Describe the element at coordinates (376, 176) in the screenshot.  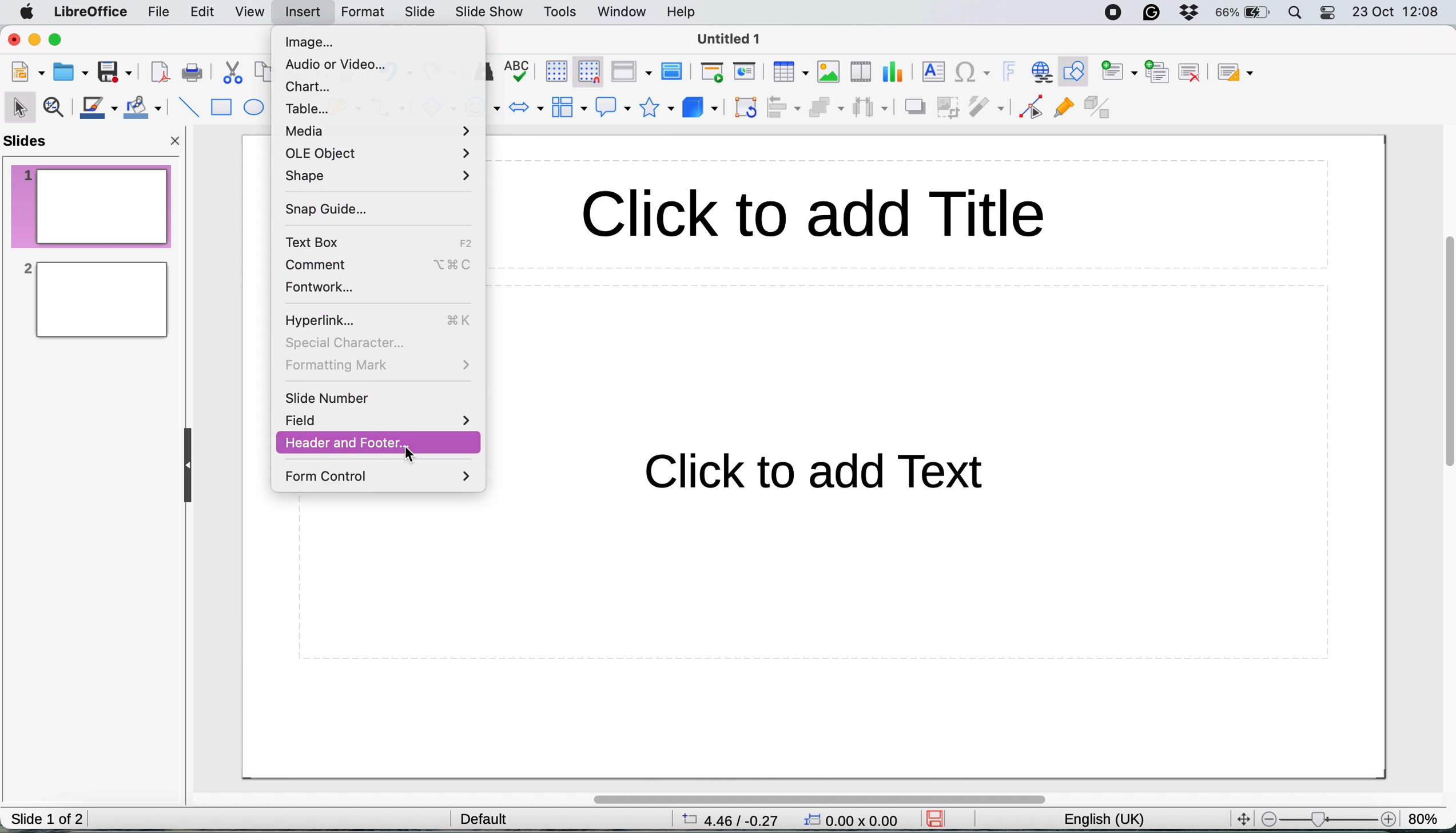
I see `shape` at that location.